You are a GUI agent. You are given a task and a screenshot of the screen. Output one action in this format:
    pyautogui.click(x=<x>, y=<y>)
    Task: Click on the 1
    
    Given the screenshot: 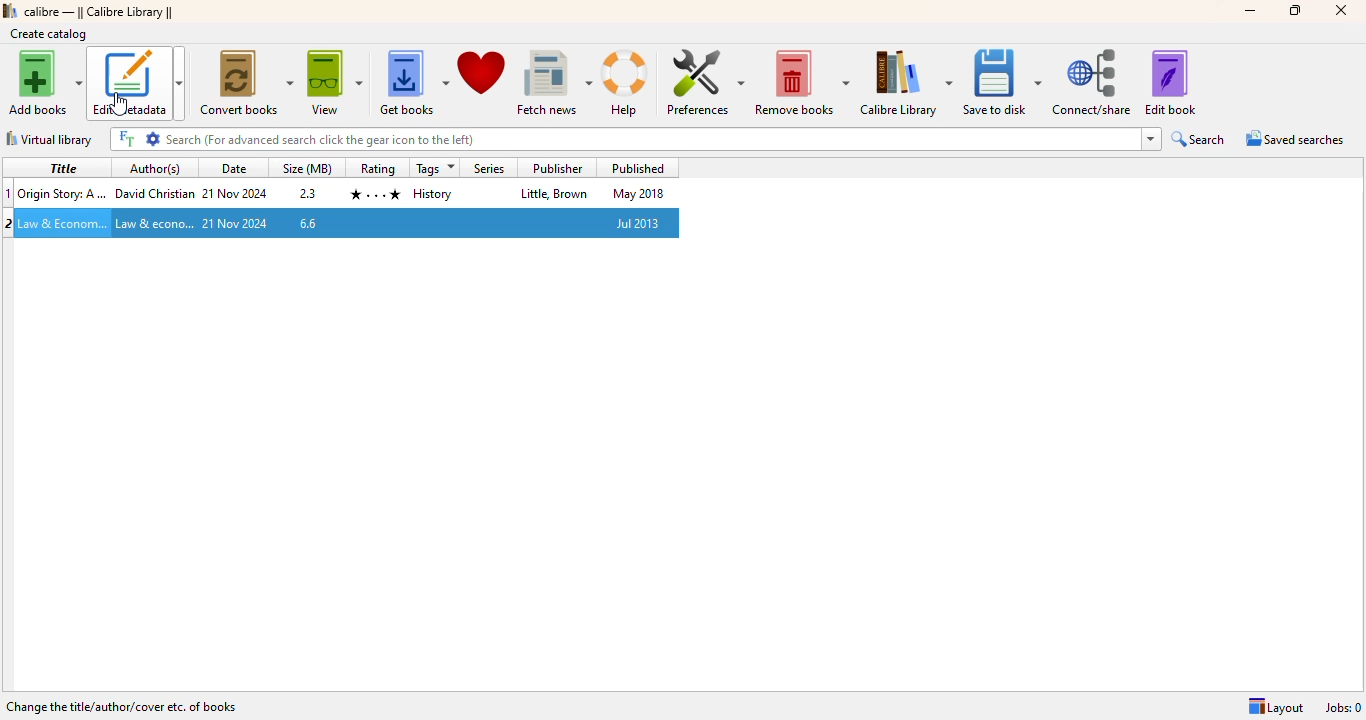 What is the action you would take?
    pyautogui.click(x=9, y=192)
    